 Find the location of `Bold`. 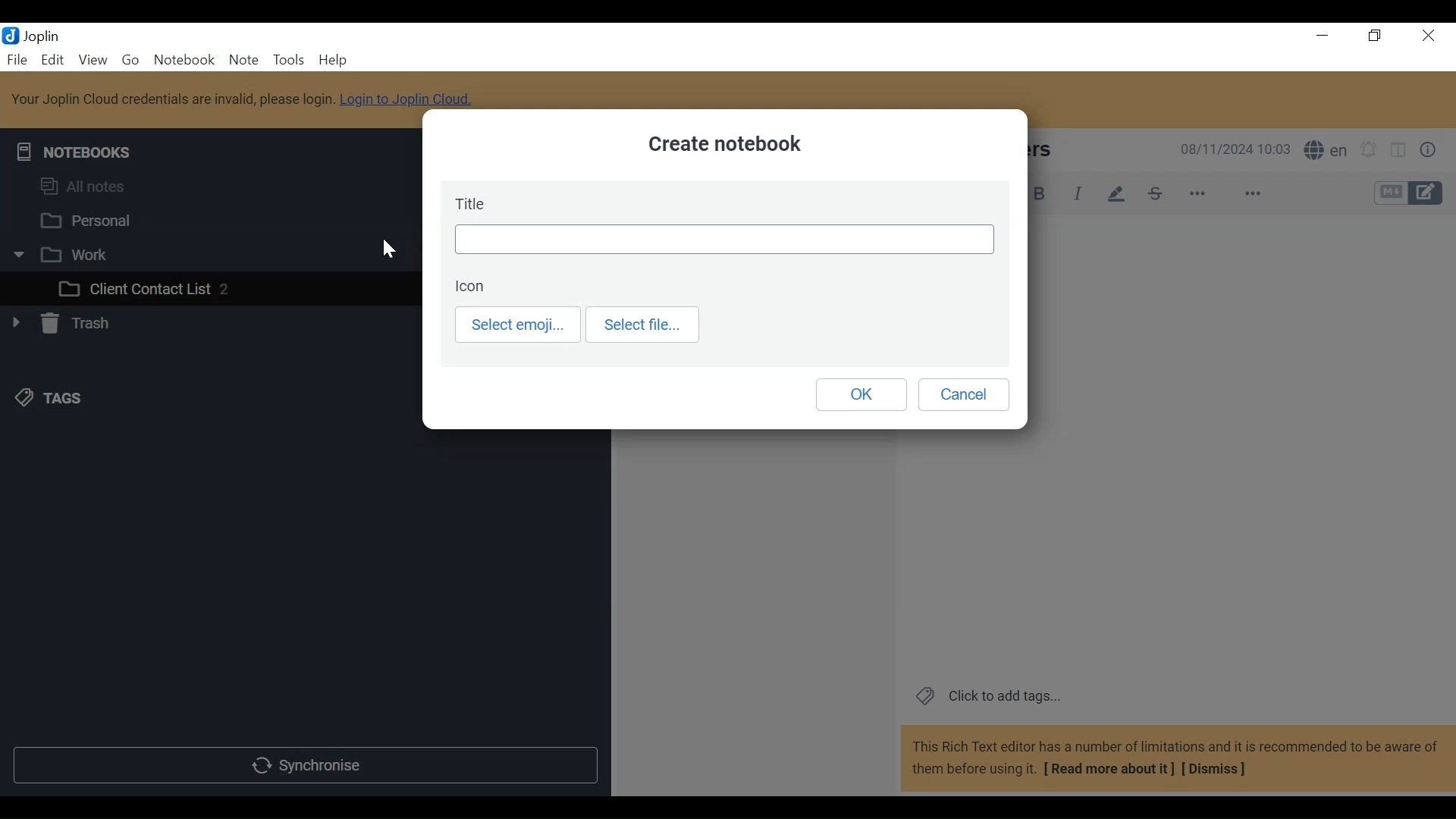

Bold is located at coordinates (1040, 194).